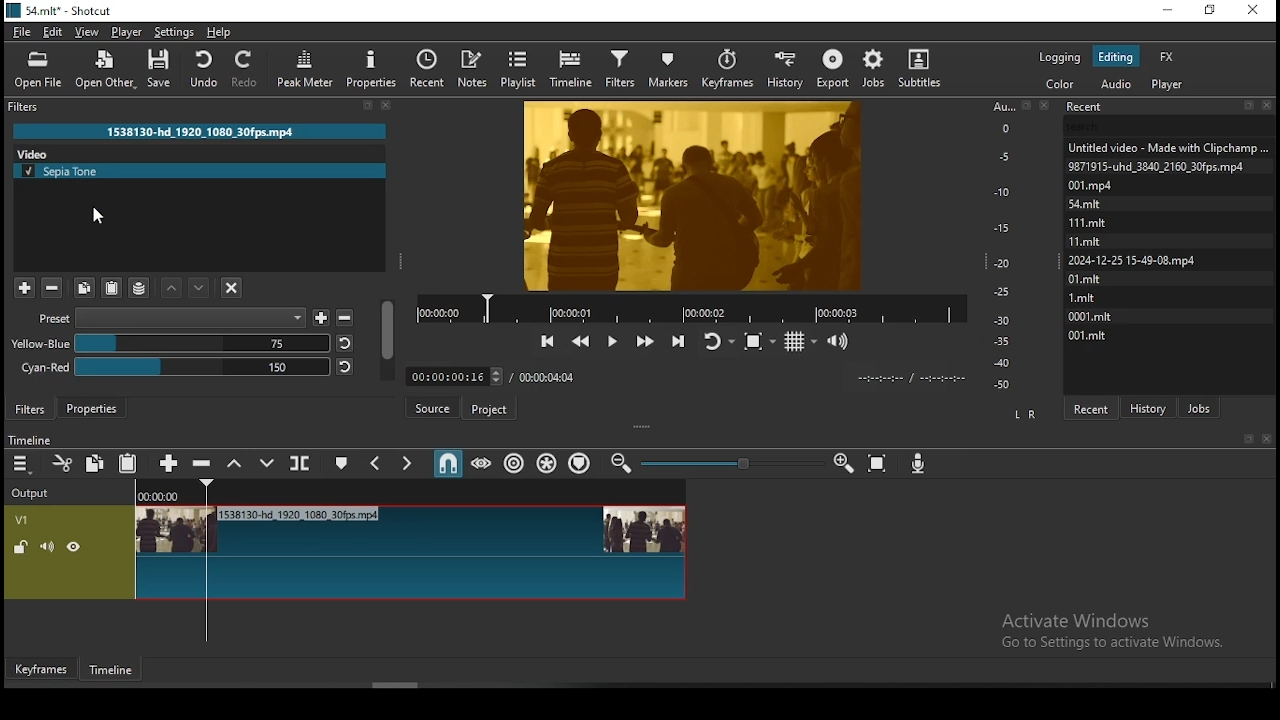  Describe the element at coordinates (1091, 314) in the screenshot. I see `0001.mit` at that location.